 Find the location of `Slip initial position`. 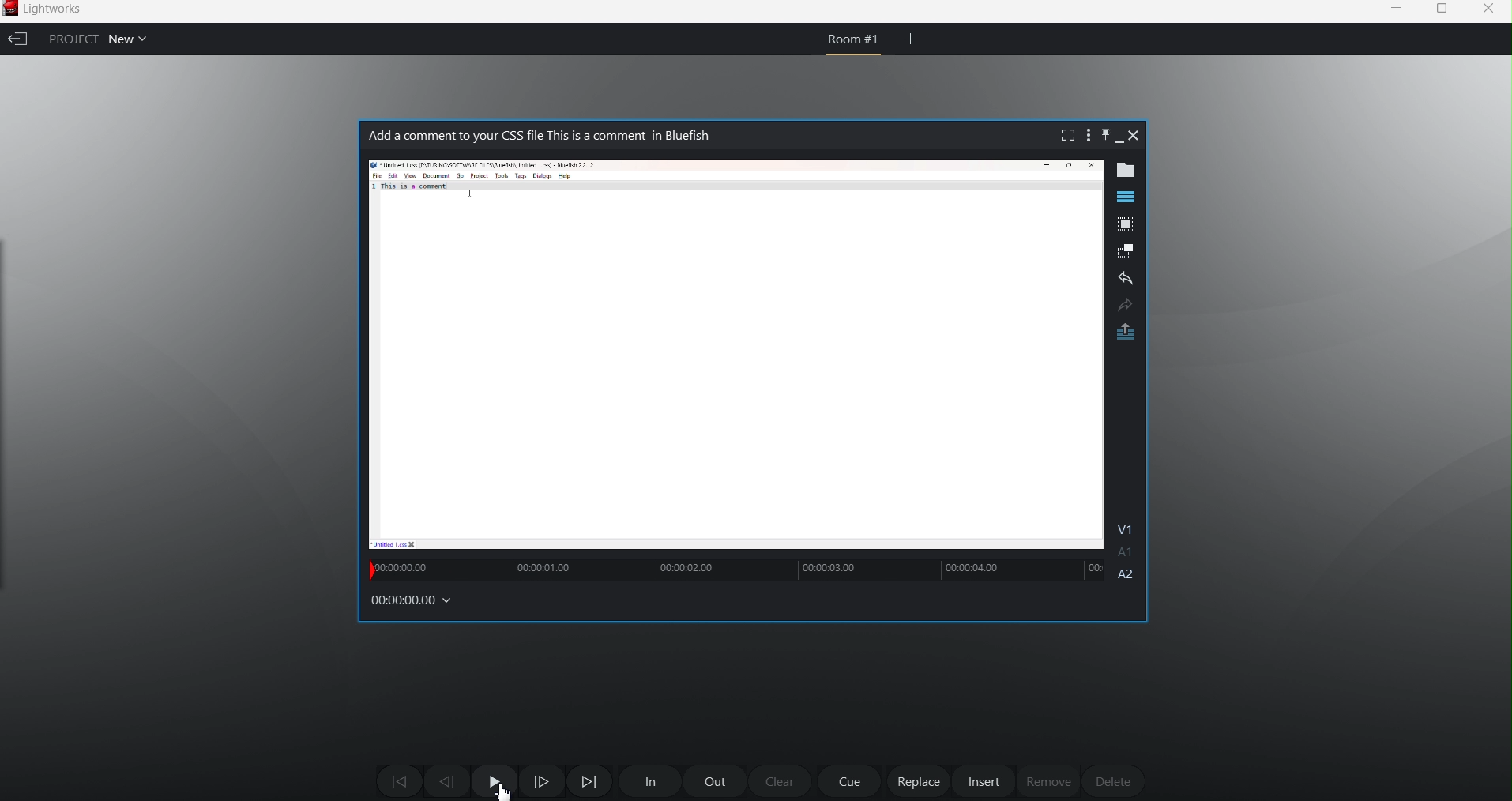

Slip initial position is located at coordinates (369, 570).